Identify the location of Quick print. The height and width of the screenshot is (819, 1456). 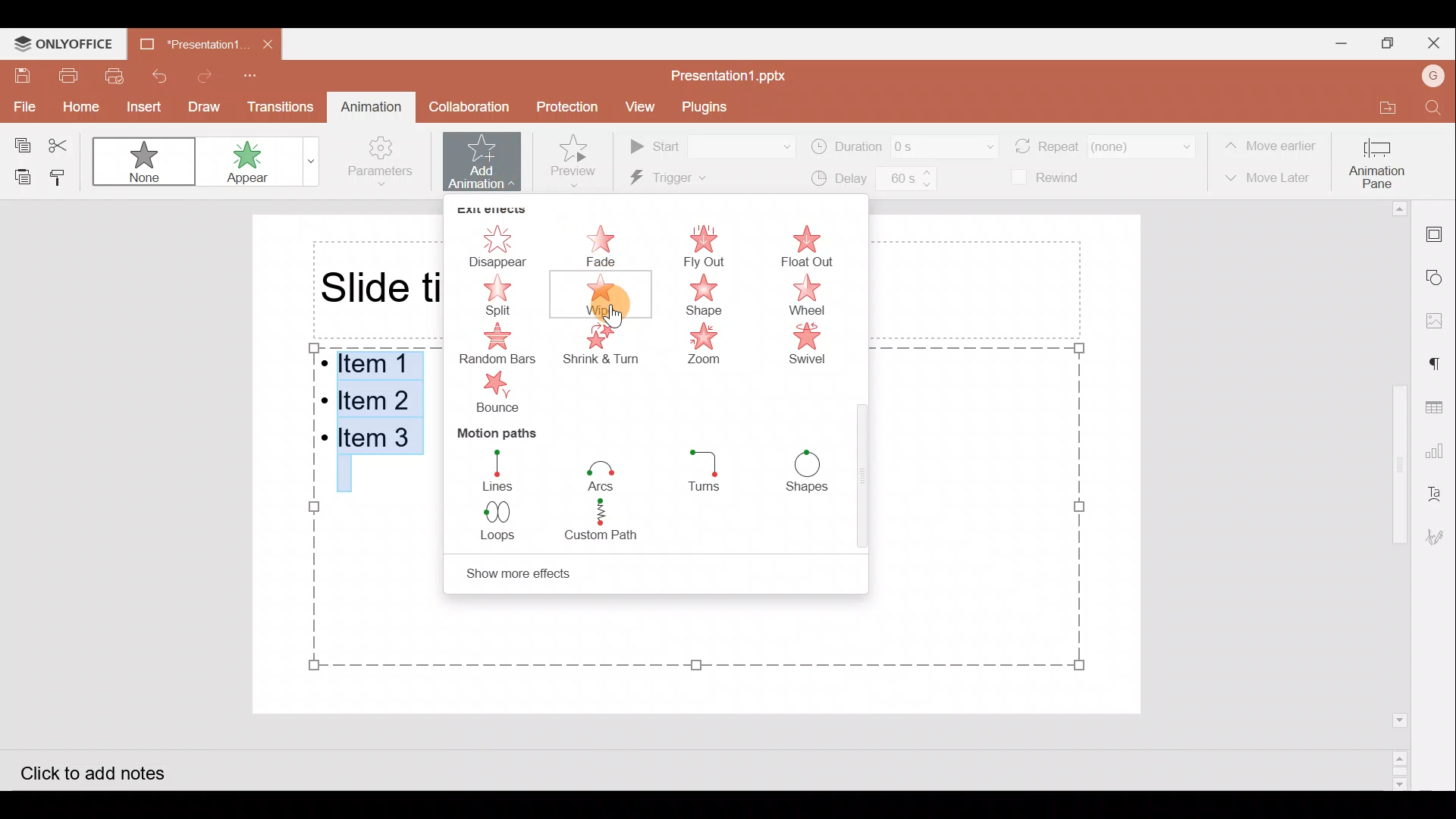
(115, 74).